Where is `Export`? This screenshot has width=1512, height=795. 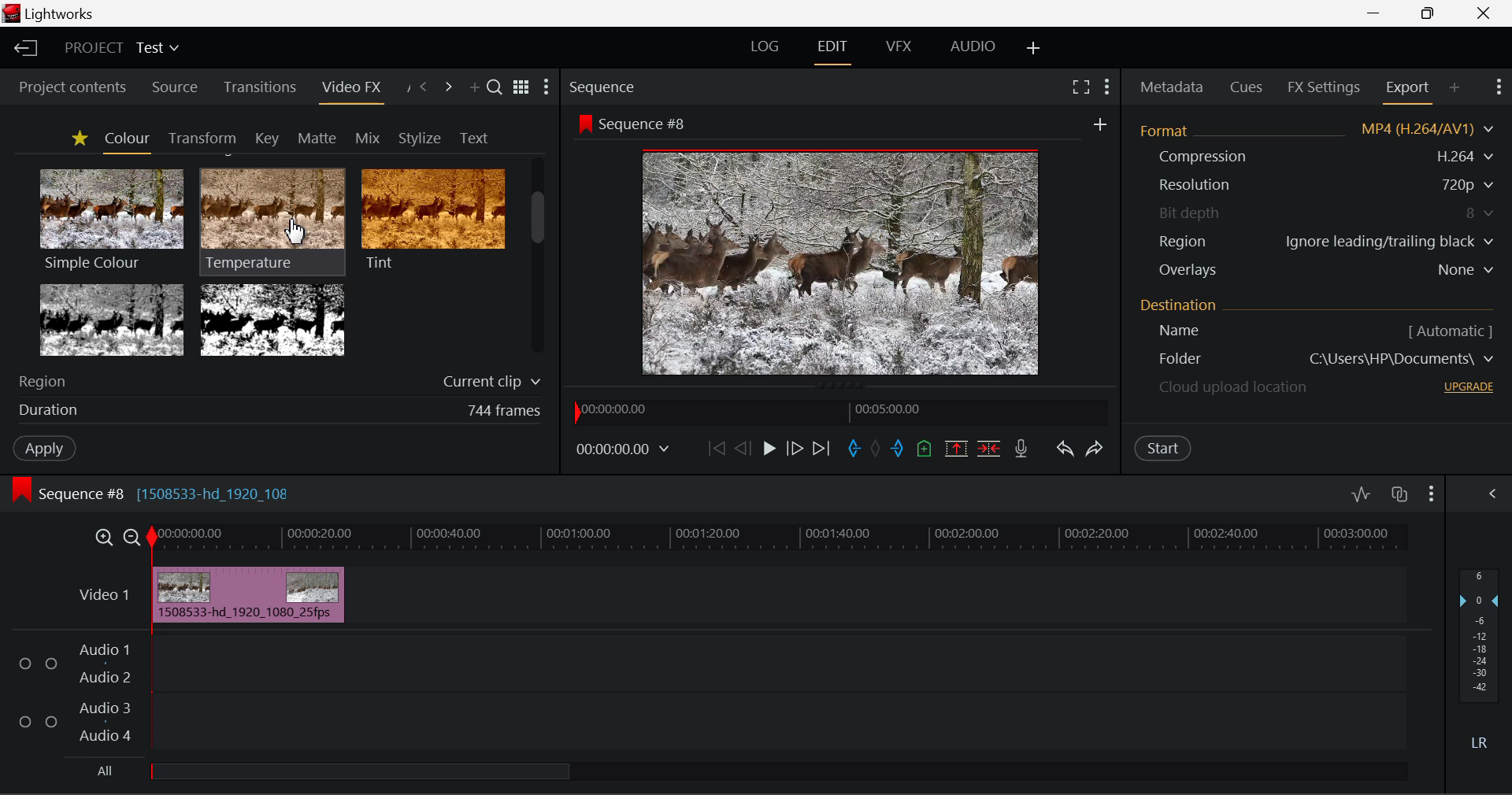 Export is located at coordinates (1409, 92).